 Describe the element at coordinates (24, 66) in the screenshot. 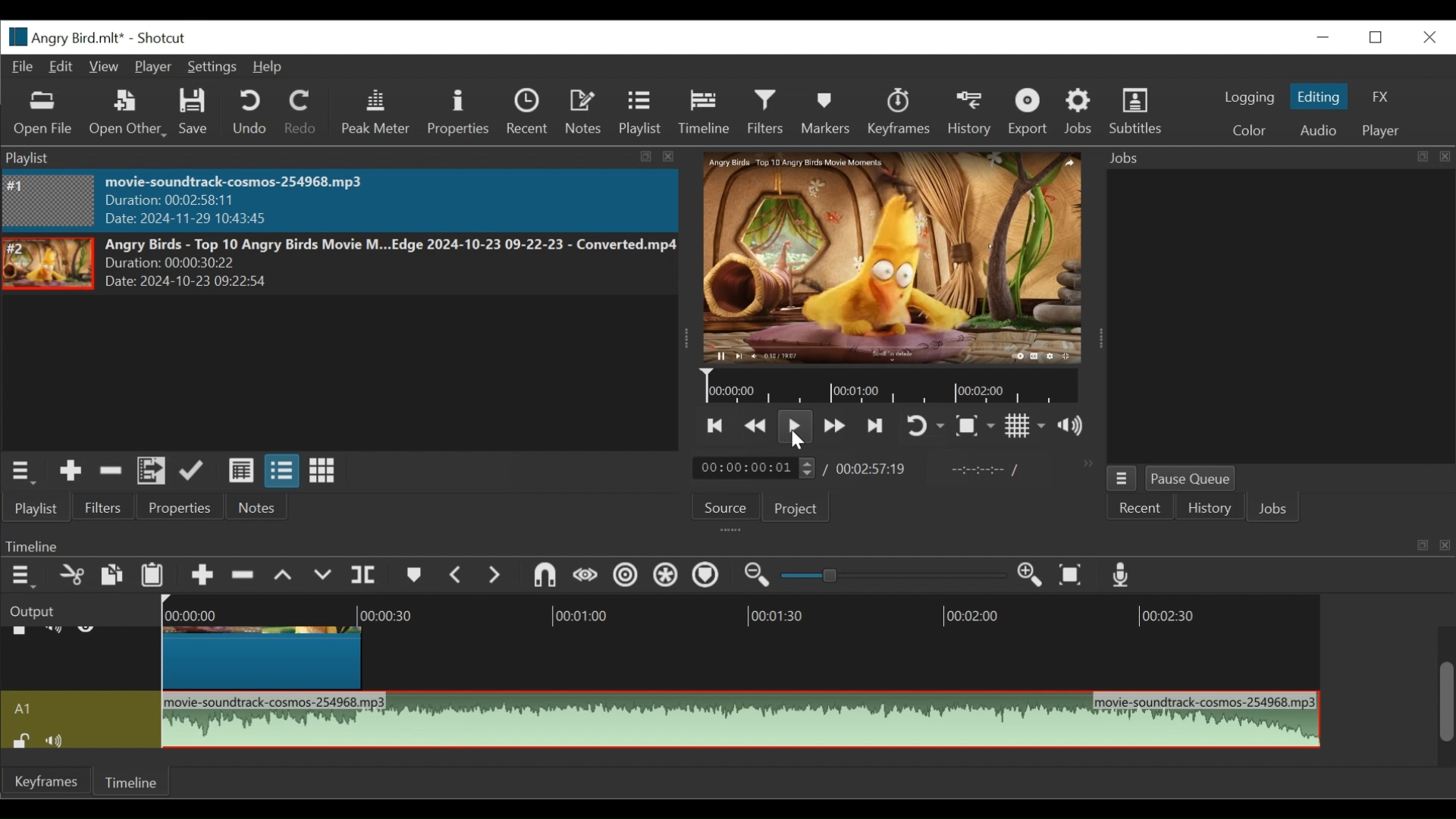

I see `File` at that location.